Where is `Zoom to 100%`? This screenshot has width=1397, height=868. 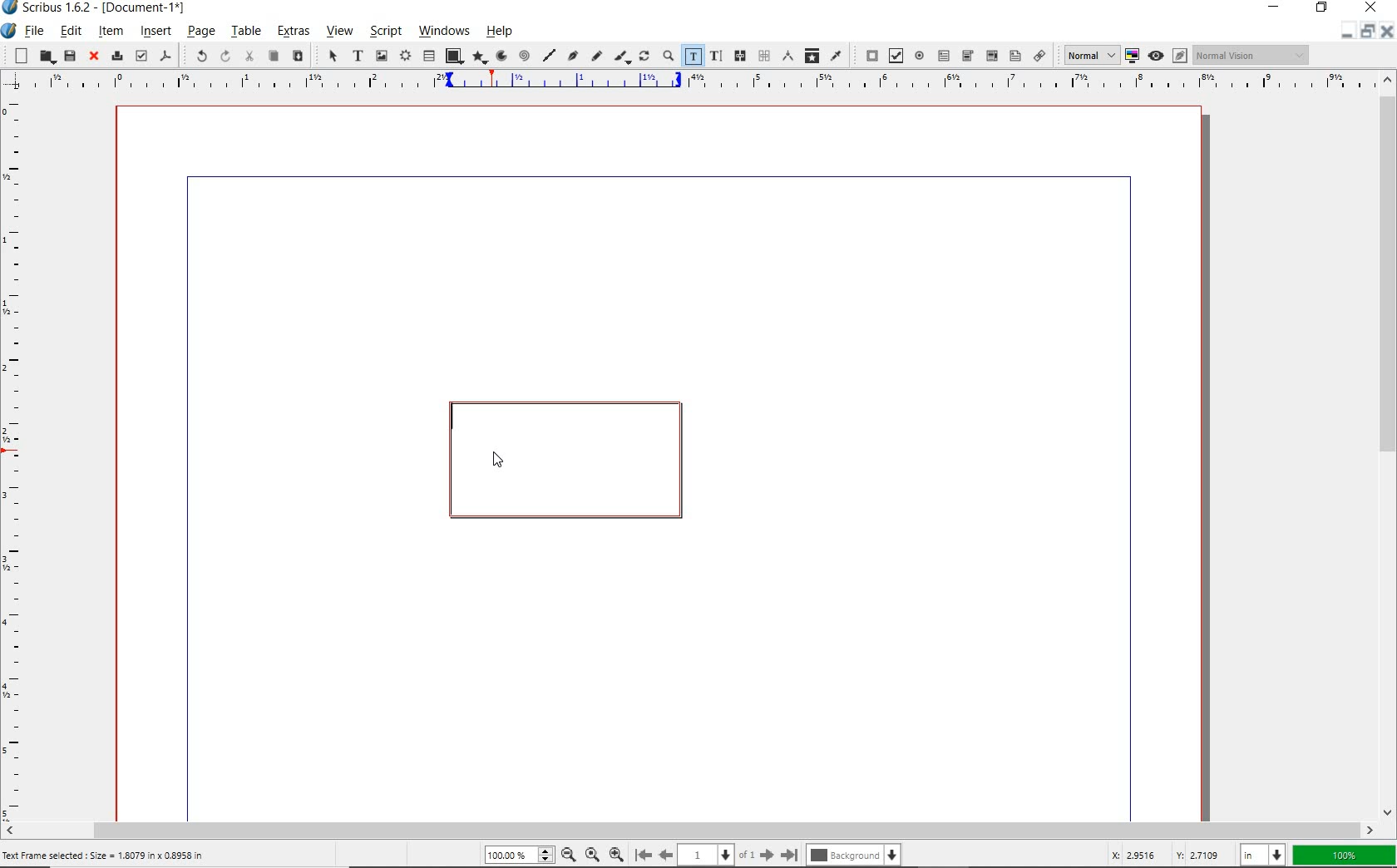 Zoom to 100% is located at coordinates (593, 856).